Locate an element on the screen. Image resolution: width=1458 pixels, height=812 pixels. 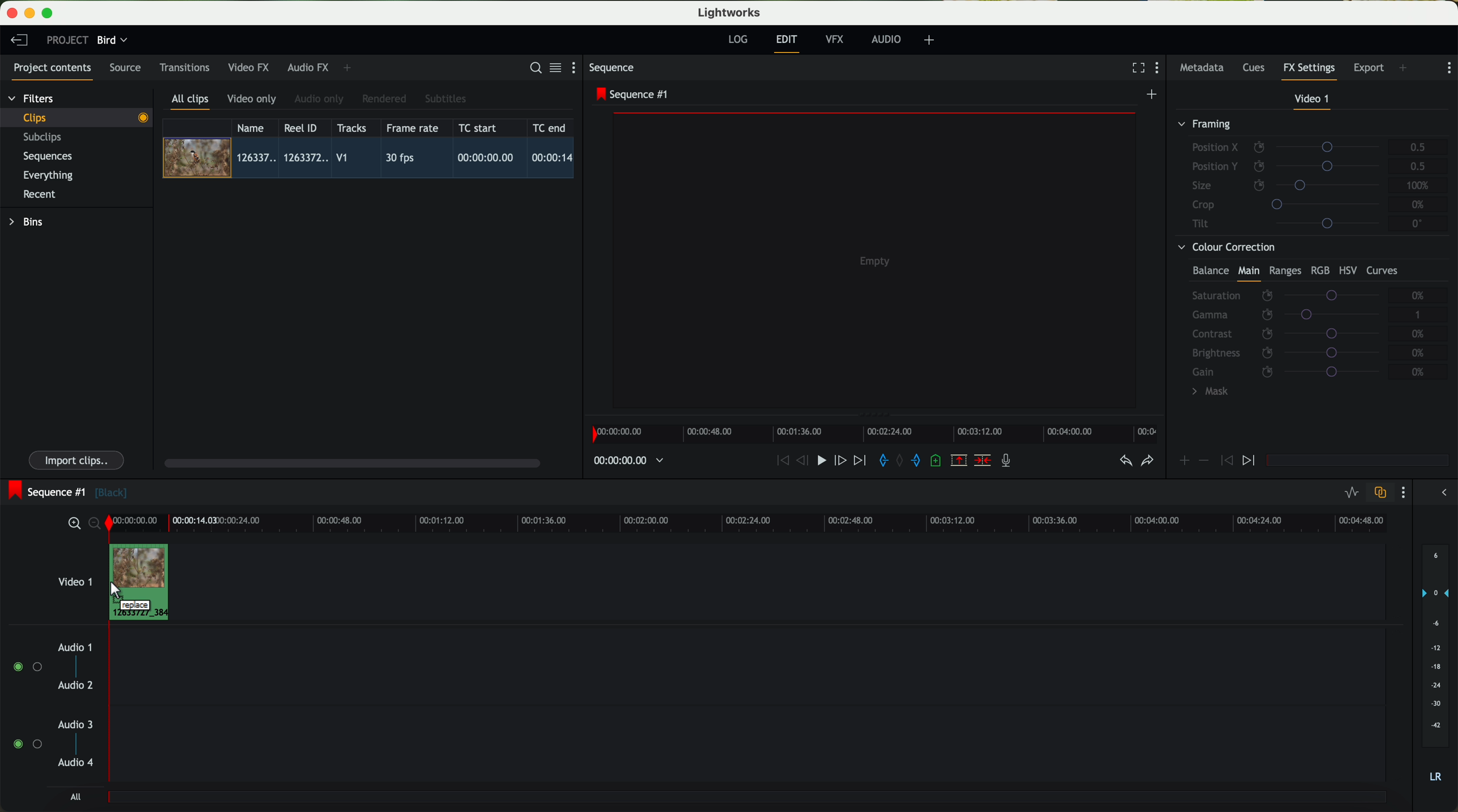
bird is located at coordinates (112, 41).